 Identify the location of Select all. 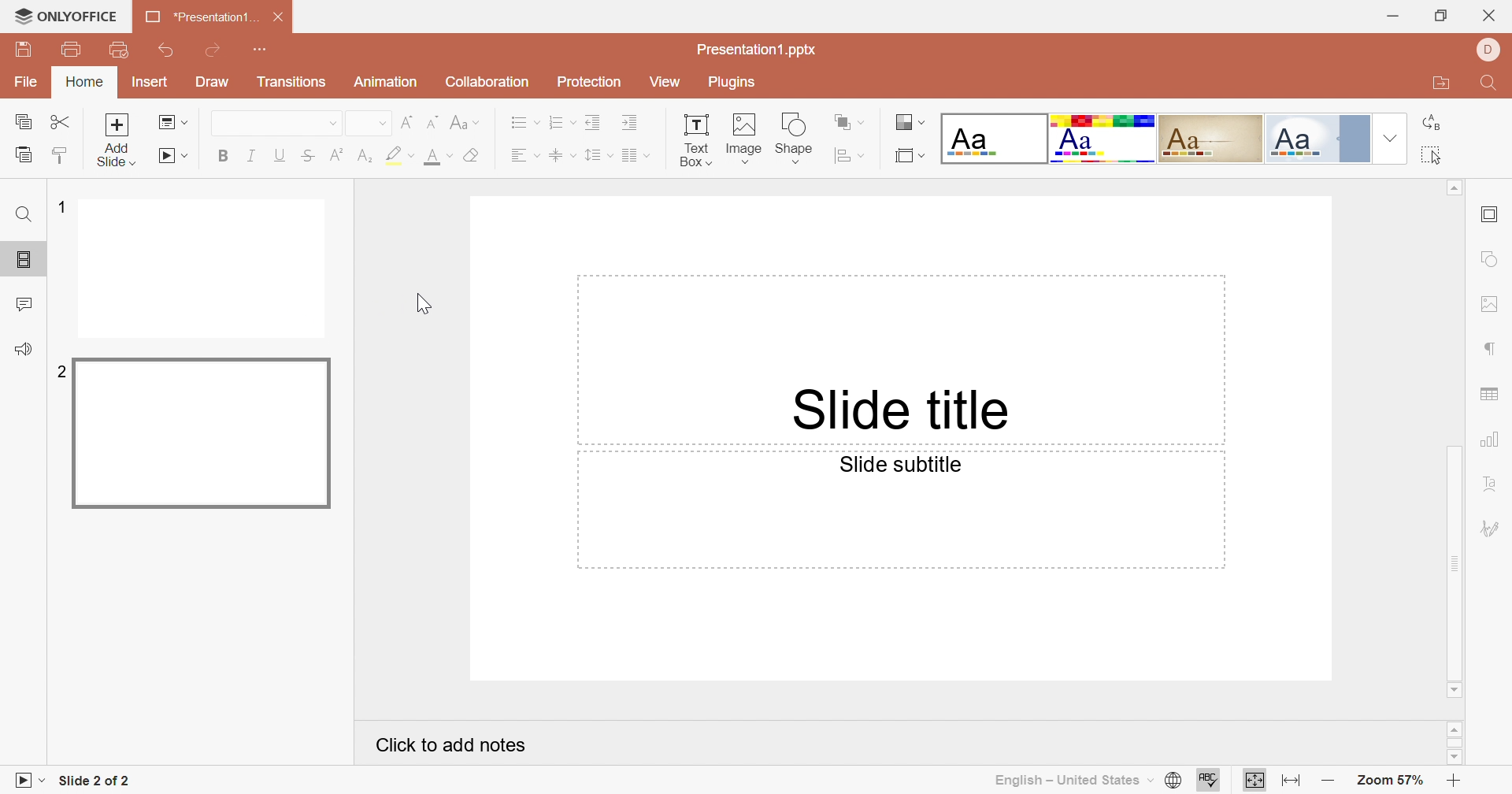
(1432, 157).